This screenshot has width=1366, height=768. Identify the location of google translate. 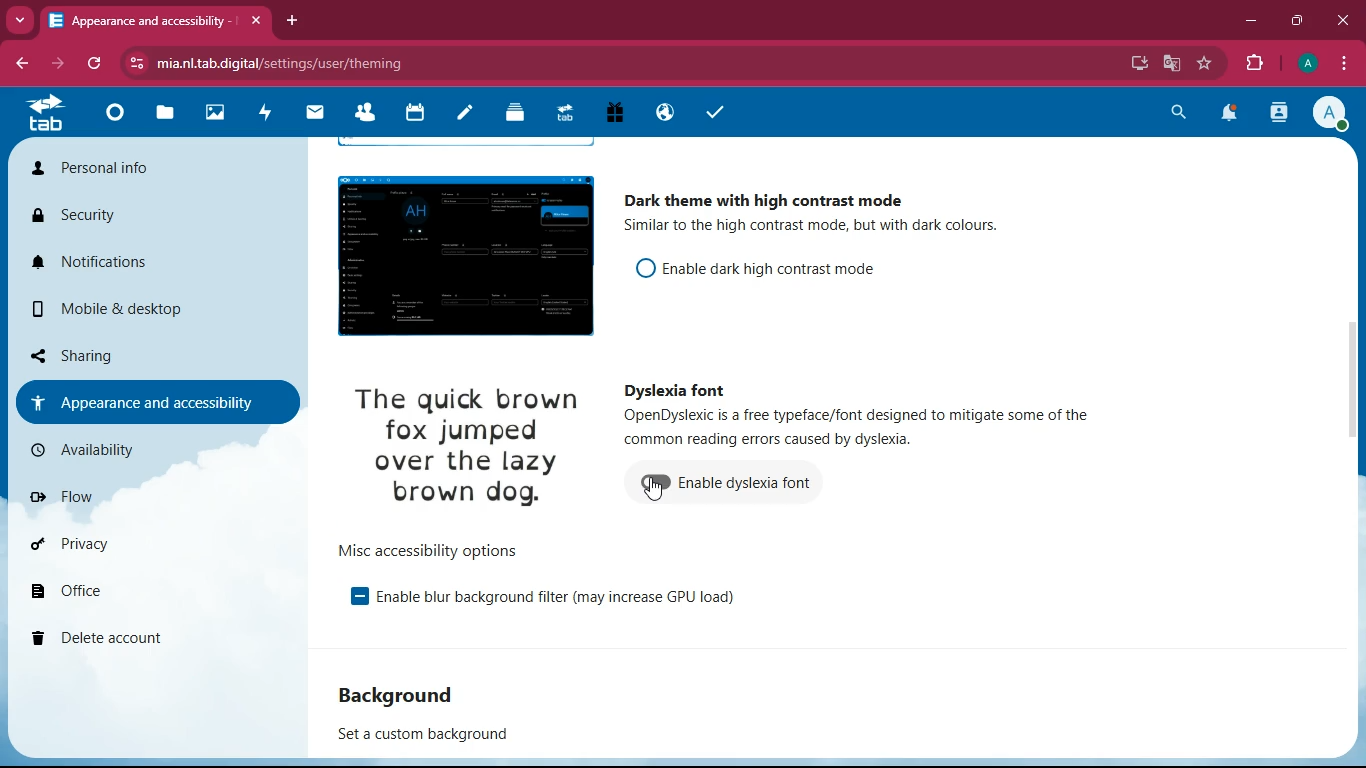
(1170, 64).